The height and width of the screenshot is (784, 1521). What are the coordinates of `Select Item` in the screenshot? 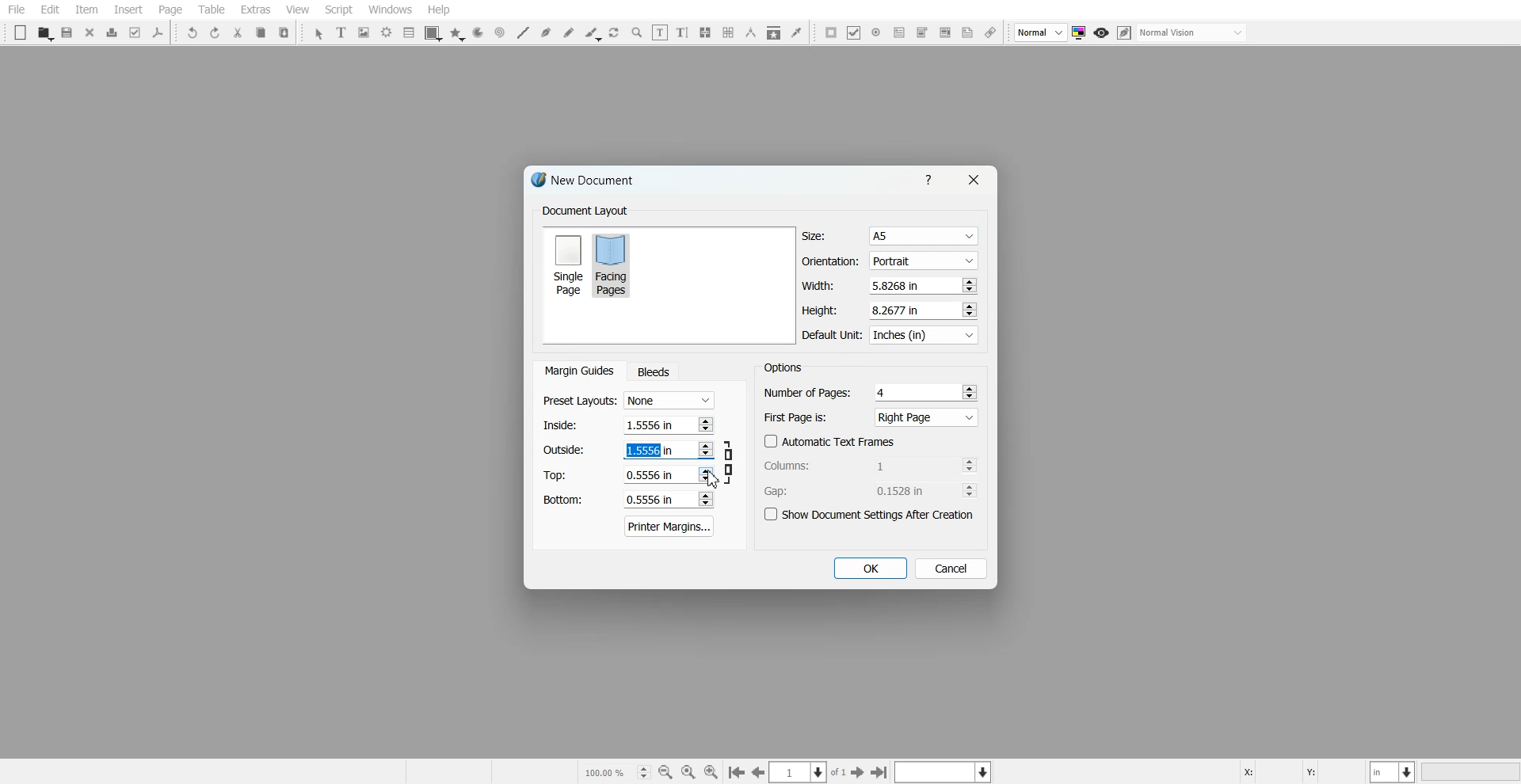 It's located at (318, 34).